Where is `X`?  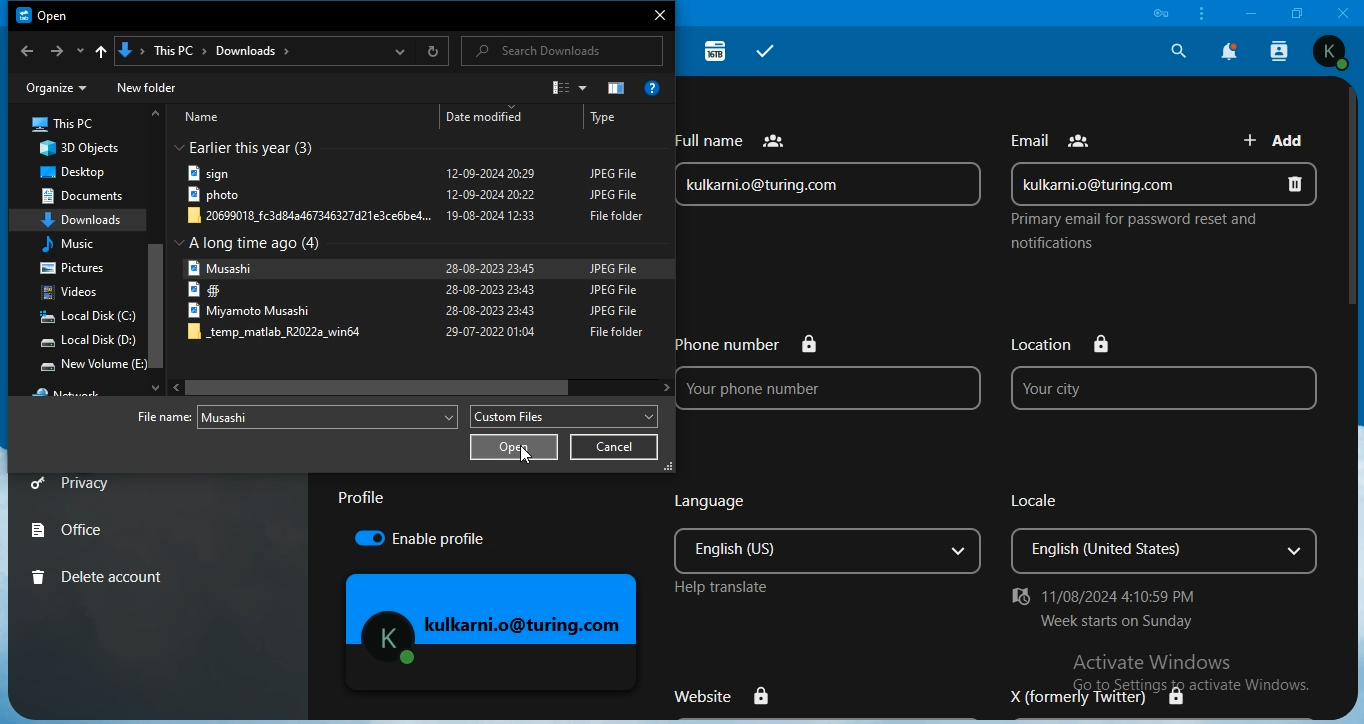 X is located at coordinates (1109, 694).